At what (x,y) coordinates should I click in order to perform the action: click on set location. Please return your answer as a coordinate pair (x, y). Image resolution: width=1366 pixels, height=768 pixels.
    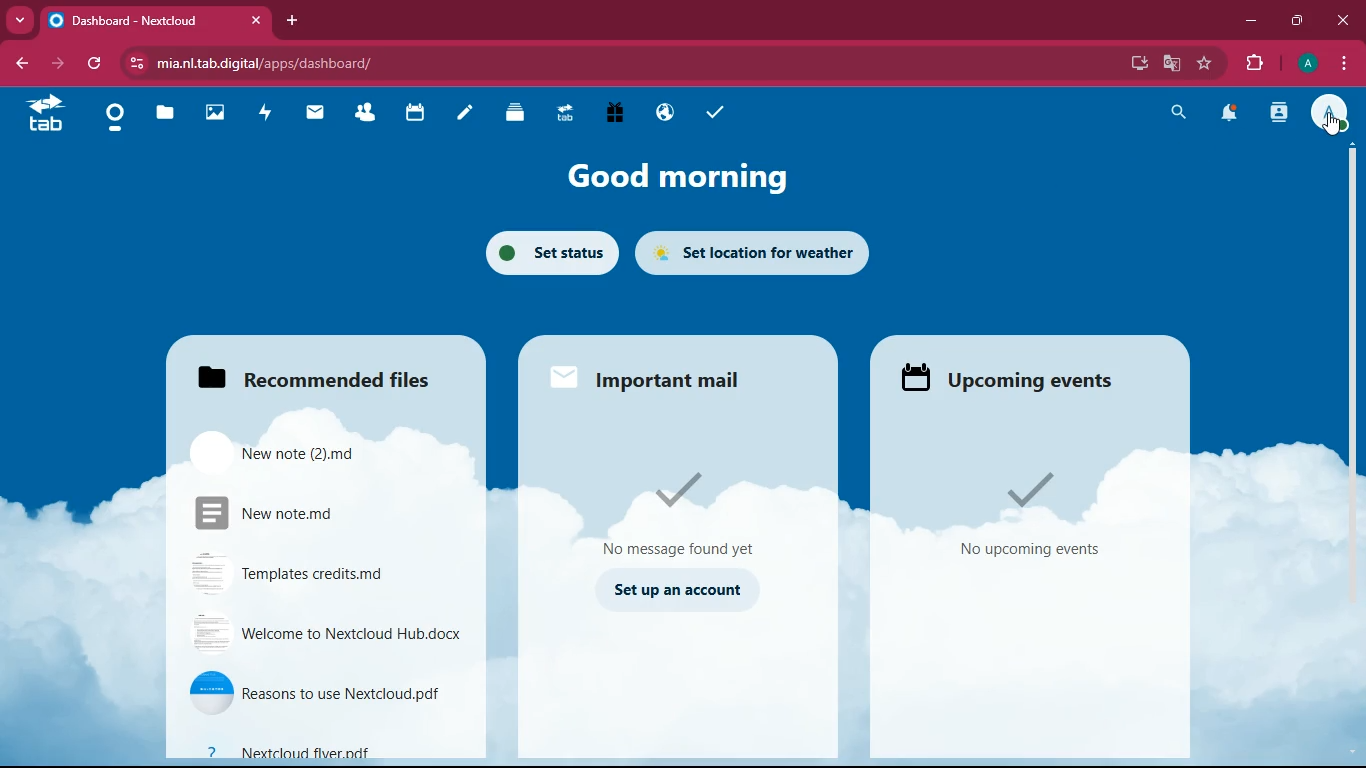
    Looking at the image, I should click on (757, 251).